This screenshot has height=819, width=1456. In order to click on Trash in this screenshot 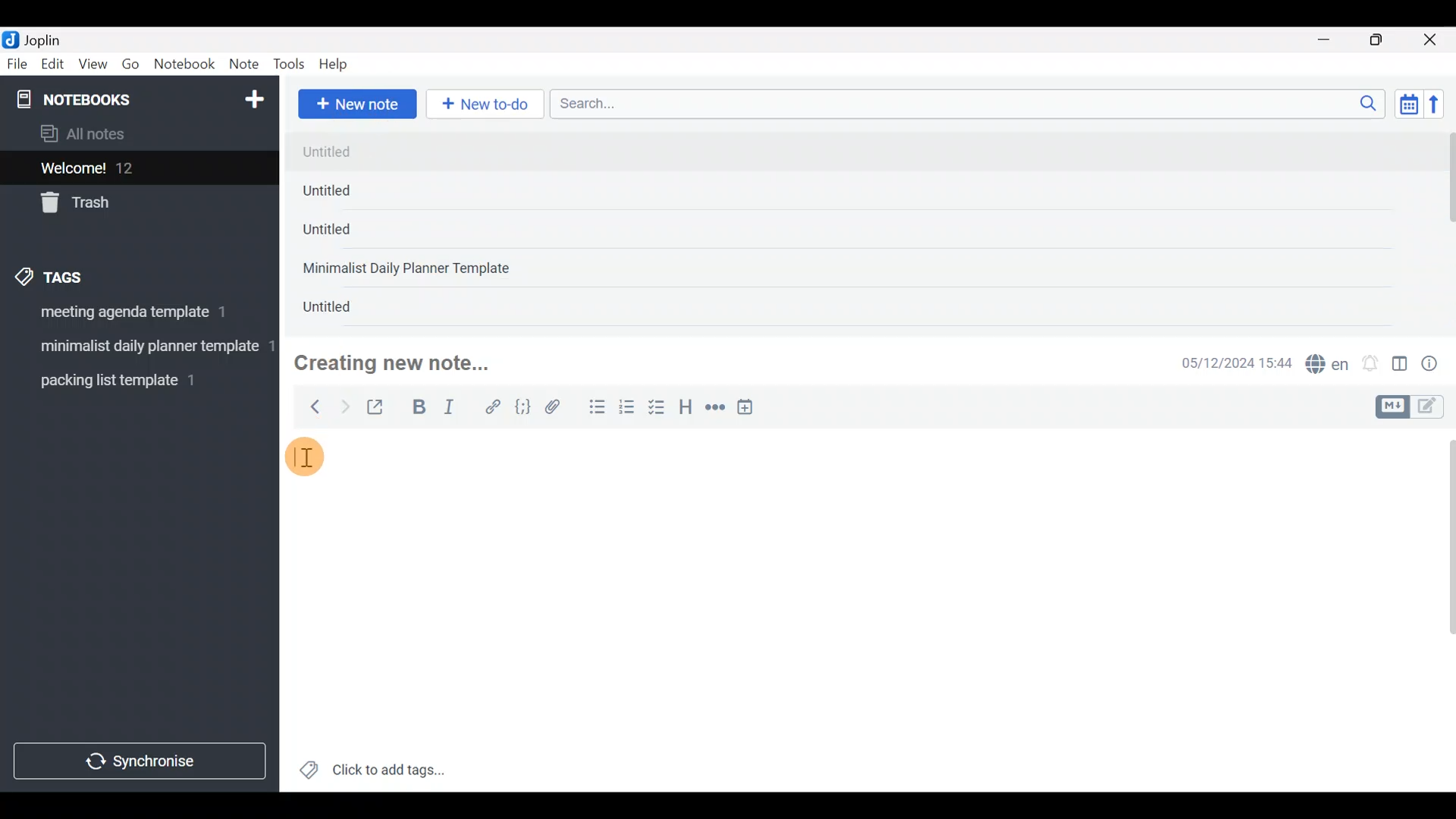, I will do `click(130, 204)`.